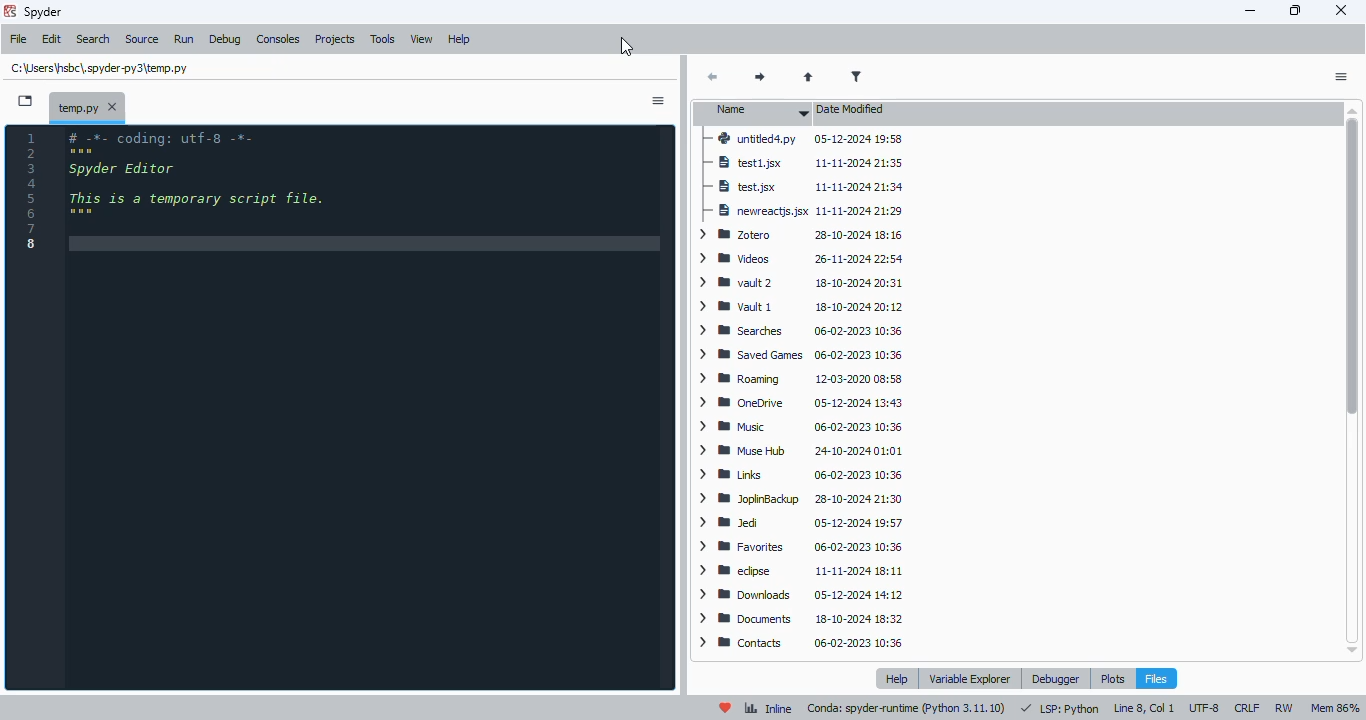  What do you see at coordinates (1145, 708) in the screenshot?
I see `line 8, col 1` at bounding box center [1145, 708].